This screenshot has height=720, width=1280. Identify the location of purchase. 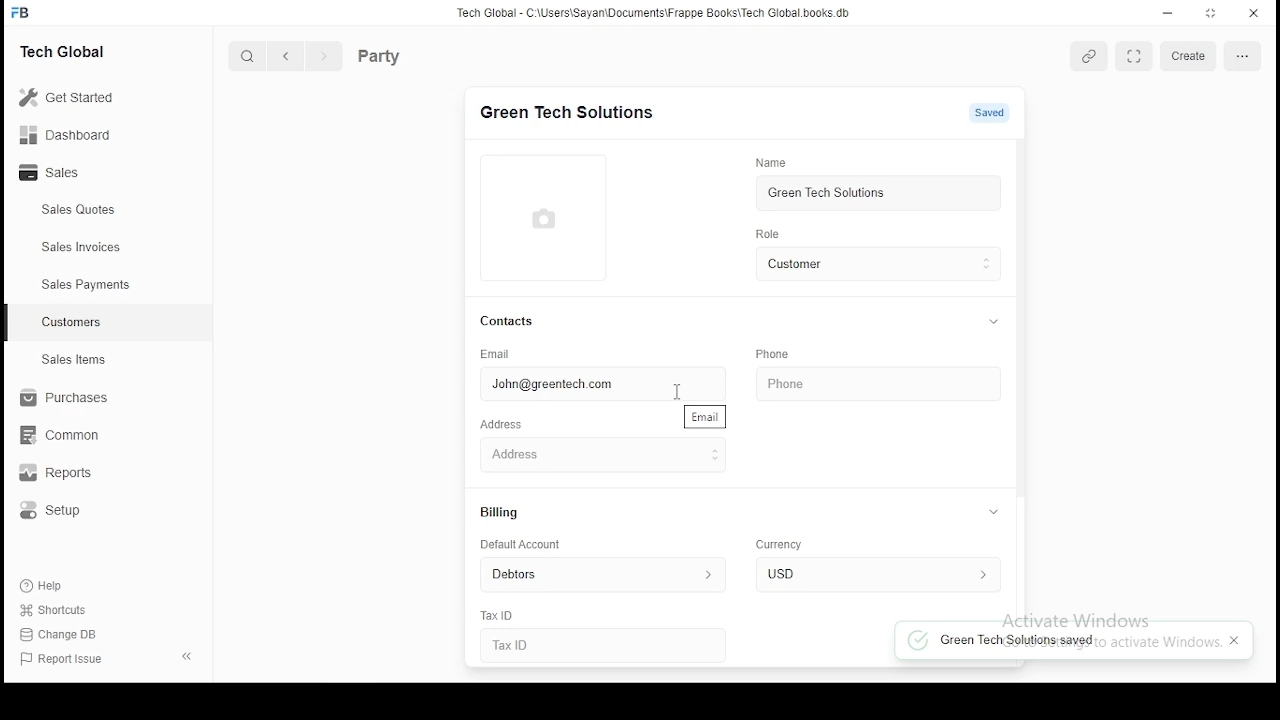
(59, 398).